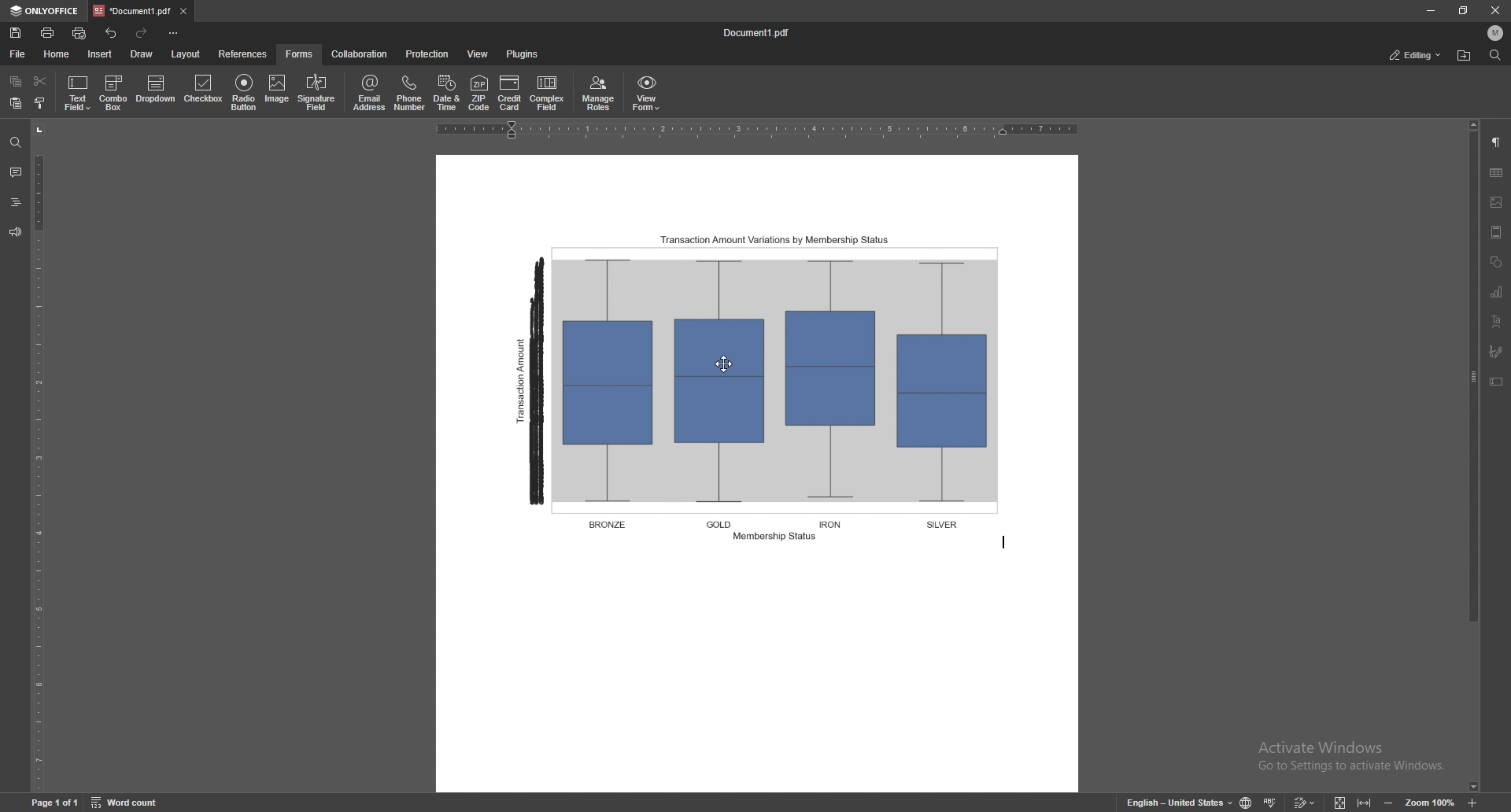 This screenshot has height=812, width=1511. I want to click on locate file, so click(1465, 57).